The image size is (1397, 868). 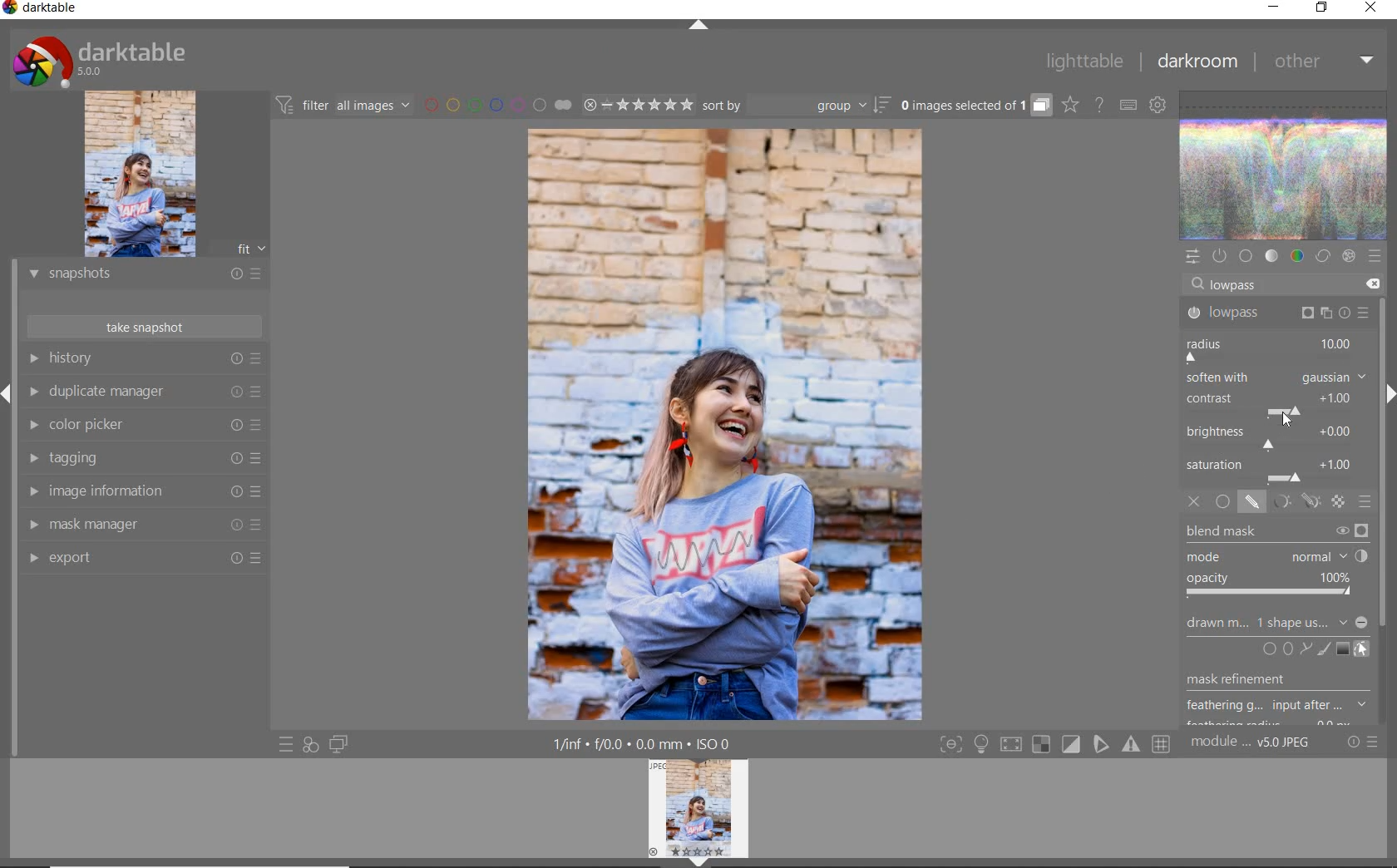 What do you see at coordinates (1365, 501) in the screenshot?
I see `blending options` at bounding box center [1365, 501].